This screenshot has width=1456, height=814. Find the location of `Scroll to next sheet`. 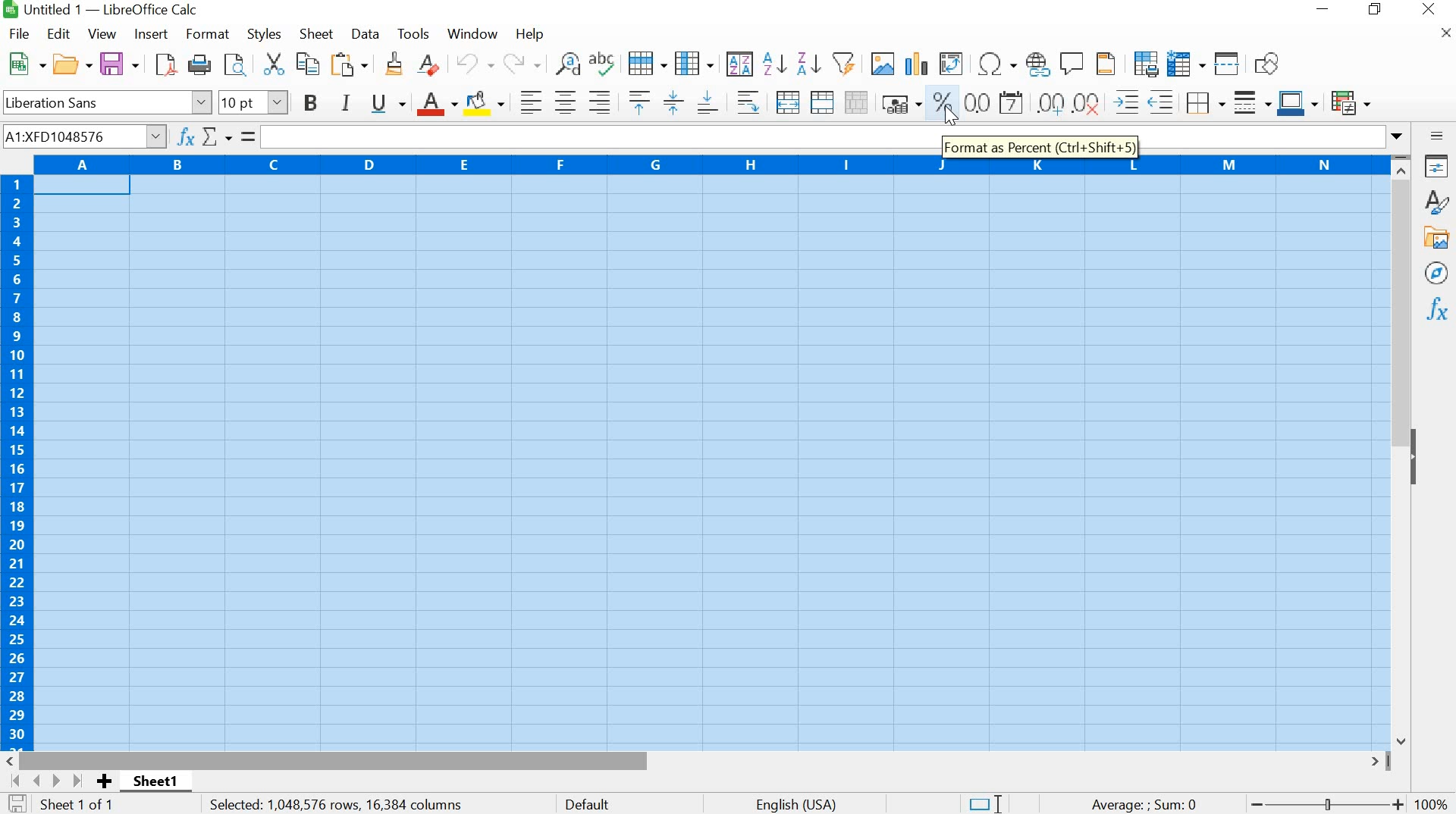

Scroll to next sheet is located at coordinates (44, 781).